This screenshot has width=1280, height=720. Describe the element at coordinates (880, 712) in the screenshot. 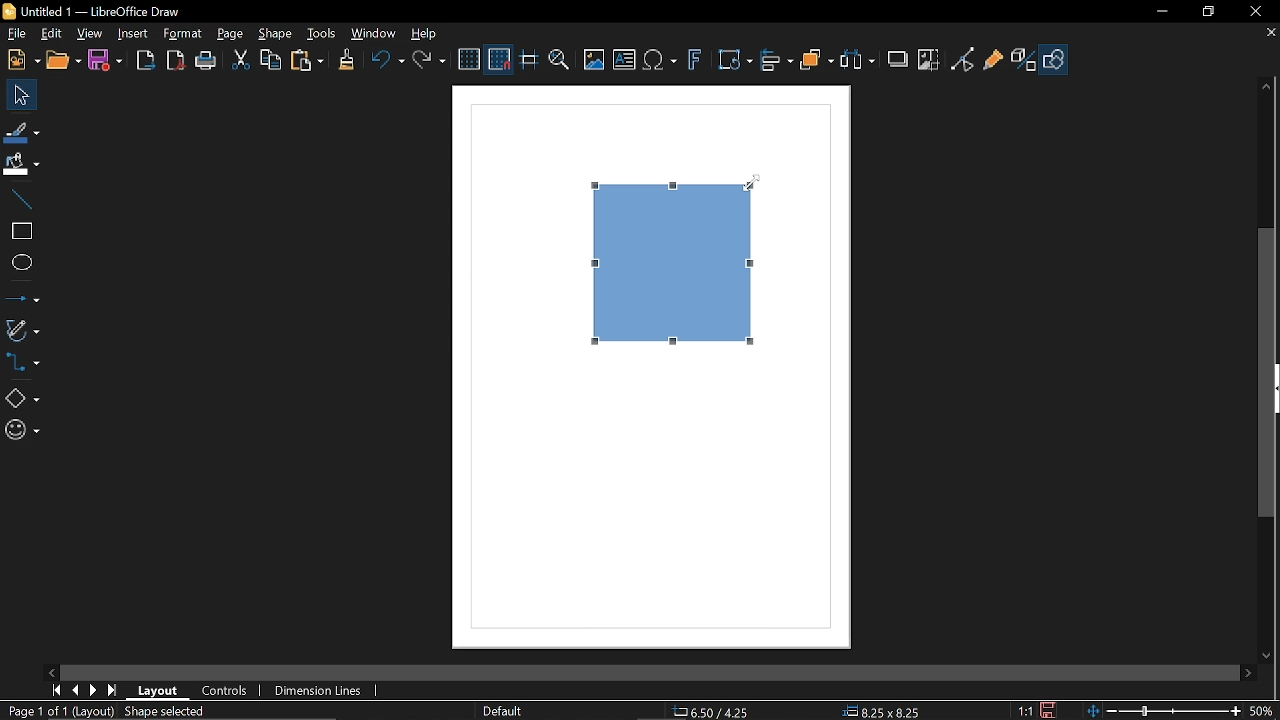

I see `8.25x8.25 (Object Size)` at that location.